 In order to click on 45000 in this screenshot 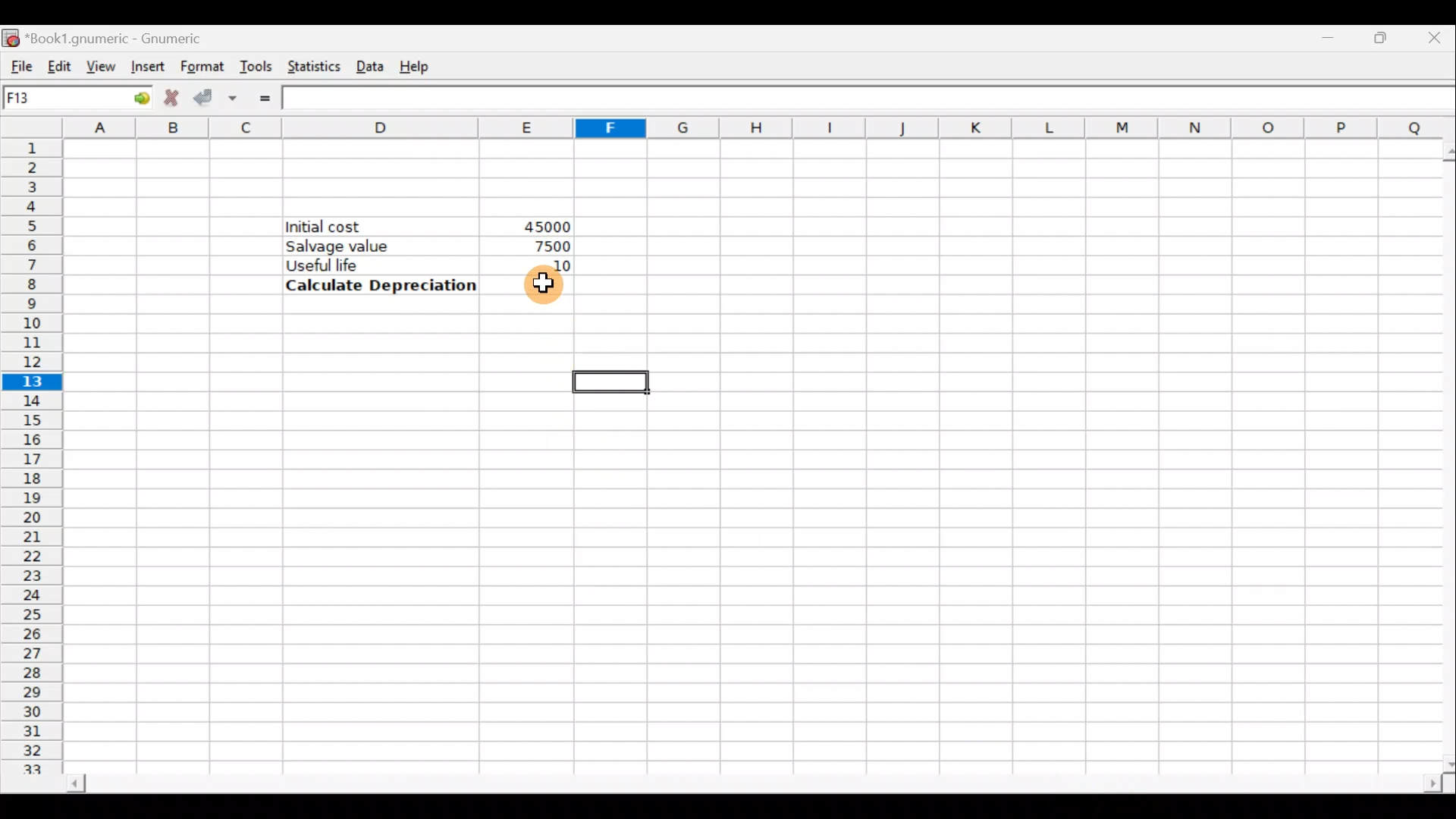, I will do `click(542, 225)`.